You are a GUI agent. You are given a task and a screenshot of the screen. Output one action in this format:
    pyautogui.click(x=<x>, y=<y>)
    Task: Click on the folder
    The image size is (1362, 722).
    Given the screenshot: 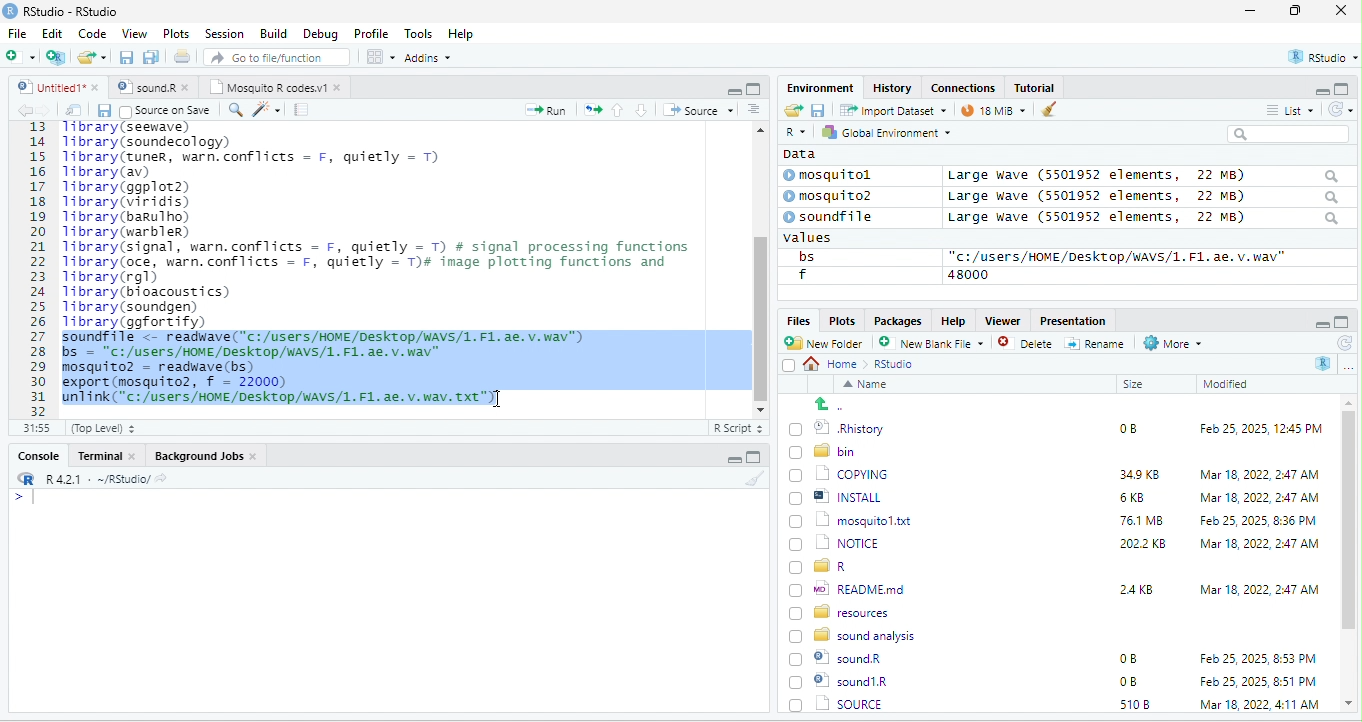 What is the action you would take?
    pyautogui.click(x=94, y=57)
    